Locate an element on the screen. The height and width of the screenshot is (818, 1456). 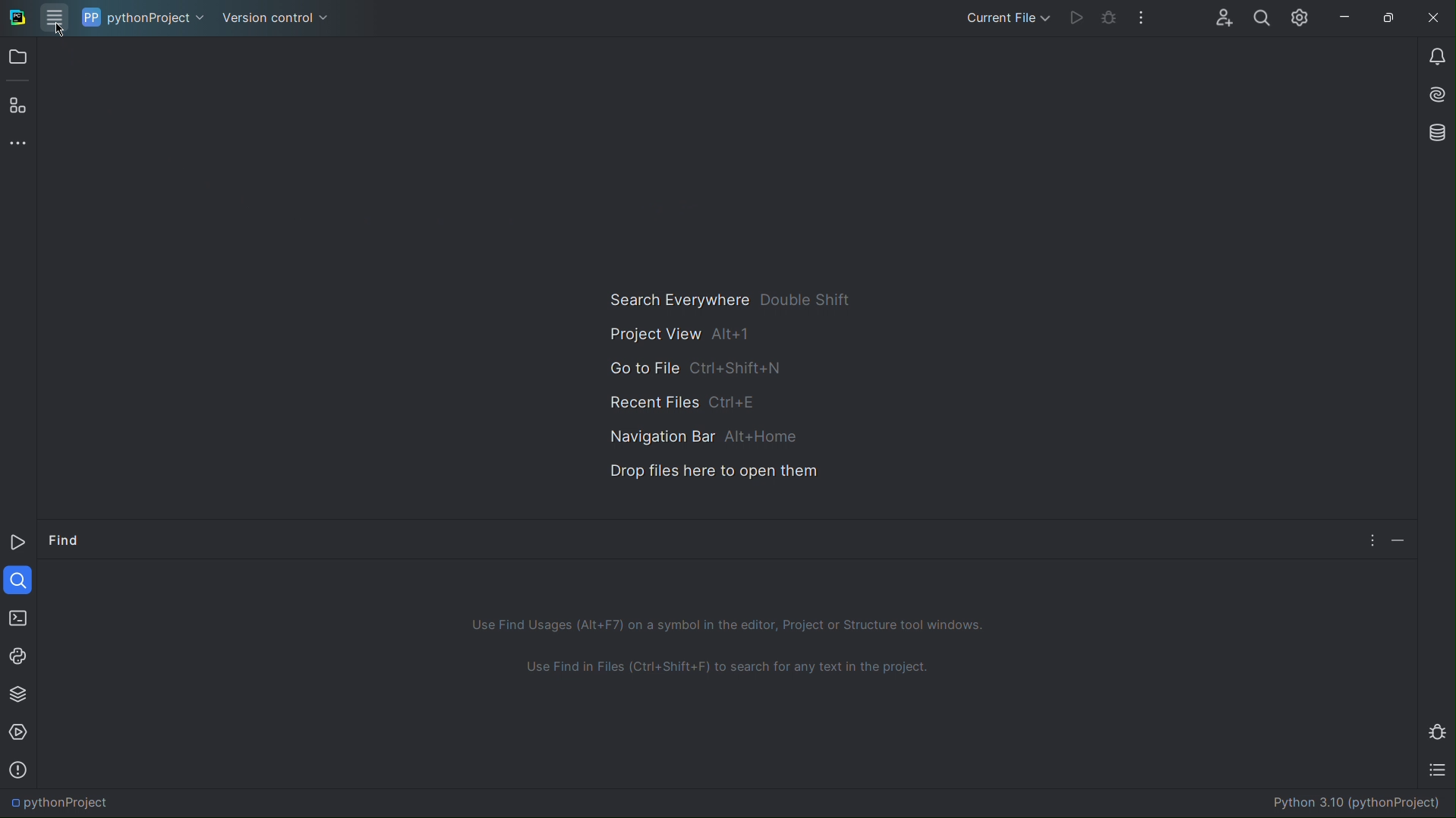
Go to File is located at coordinates (693, 367).